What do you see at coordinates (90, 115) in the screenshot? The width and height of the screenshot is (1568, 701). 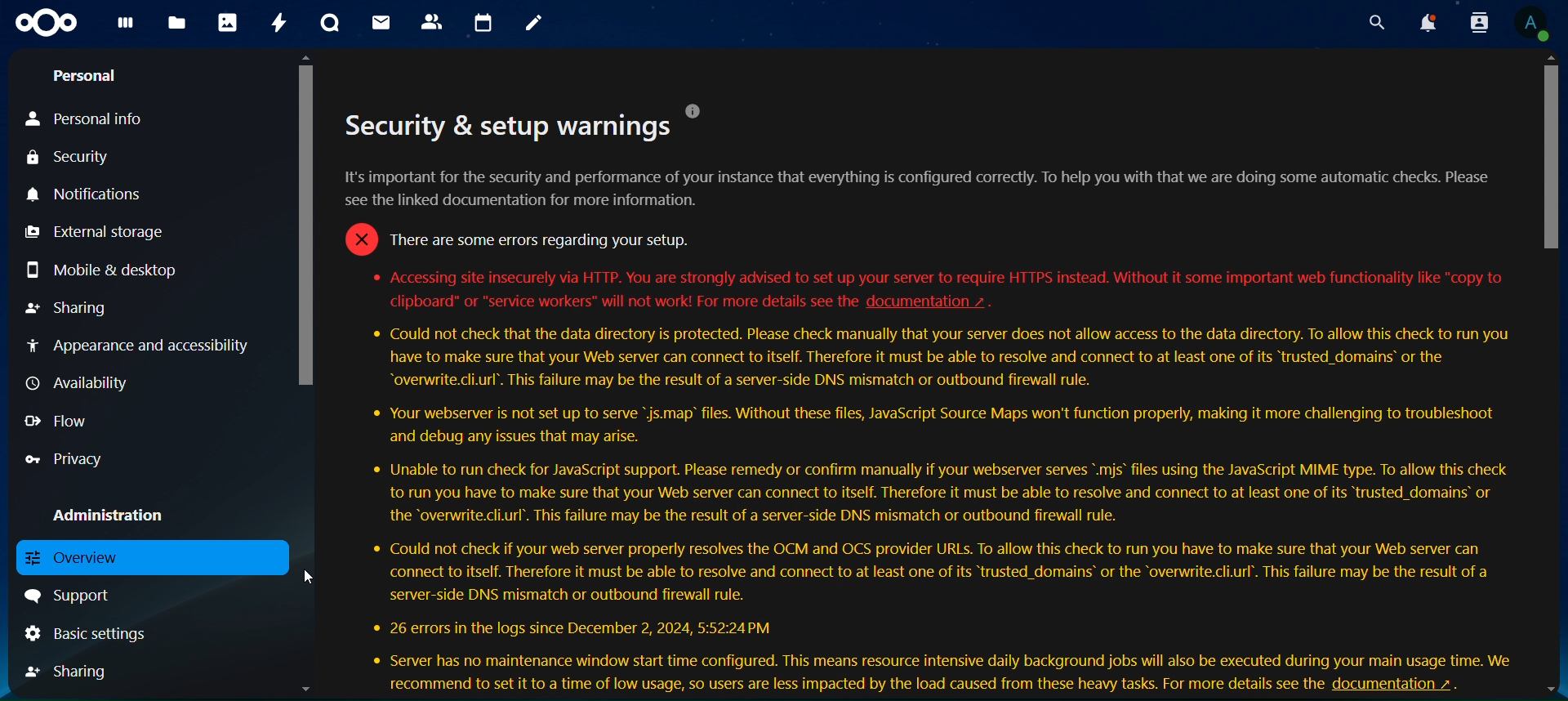 I see `personal info` at bounding box center [90, 115].